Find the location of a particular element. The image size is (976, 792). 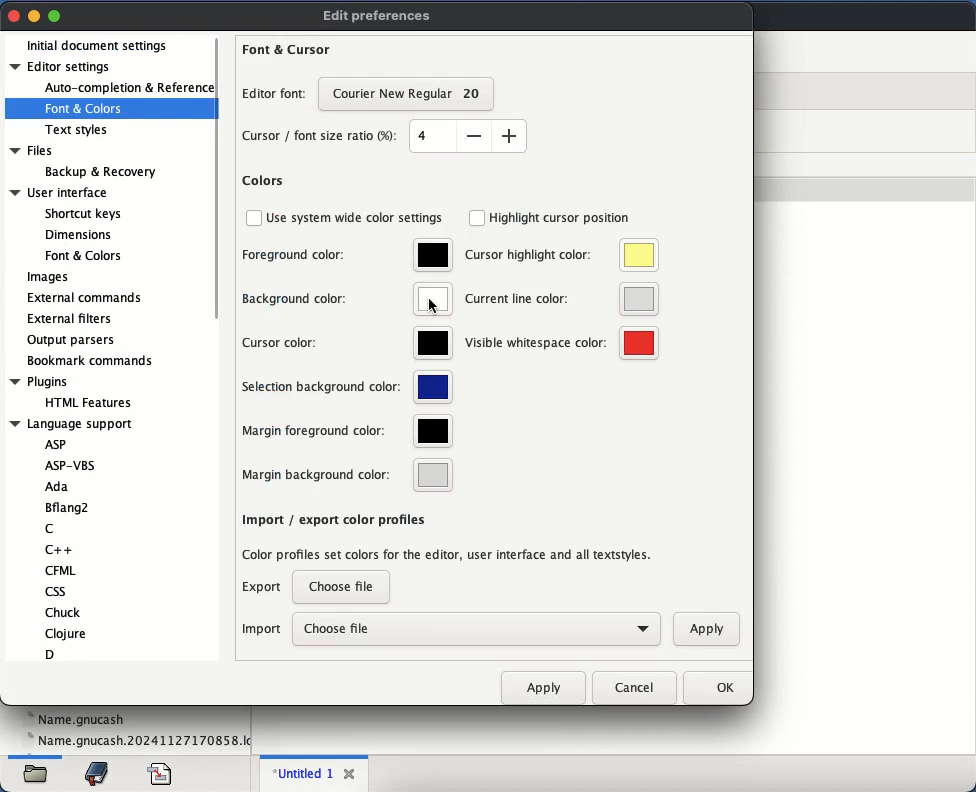

scroll is located at coordinates (218, 179).